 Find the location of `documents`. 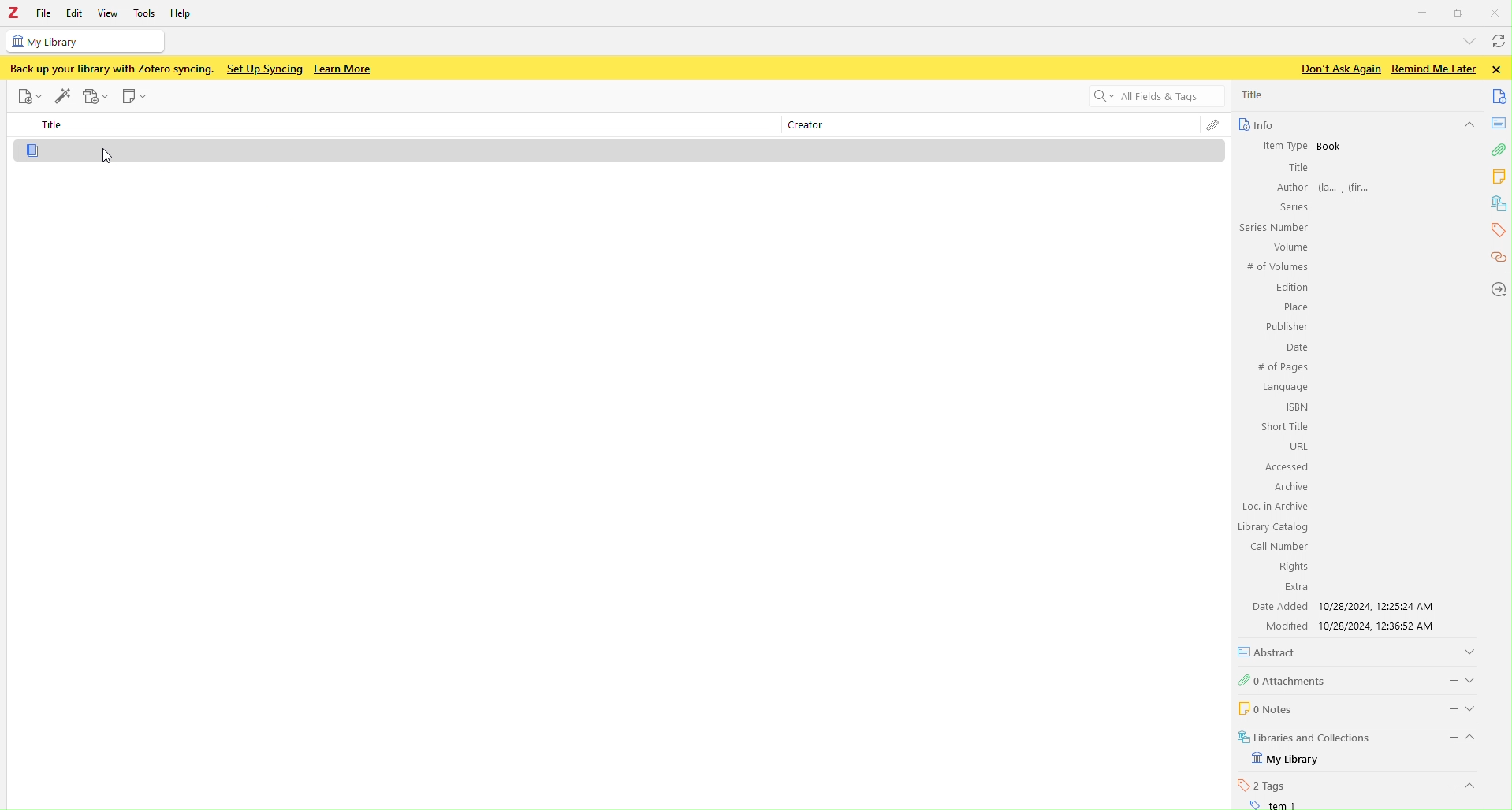

documents is located at coordinates (1500, 95).